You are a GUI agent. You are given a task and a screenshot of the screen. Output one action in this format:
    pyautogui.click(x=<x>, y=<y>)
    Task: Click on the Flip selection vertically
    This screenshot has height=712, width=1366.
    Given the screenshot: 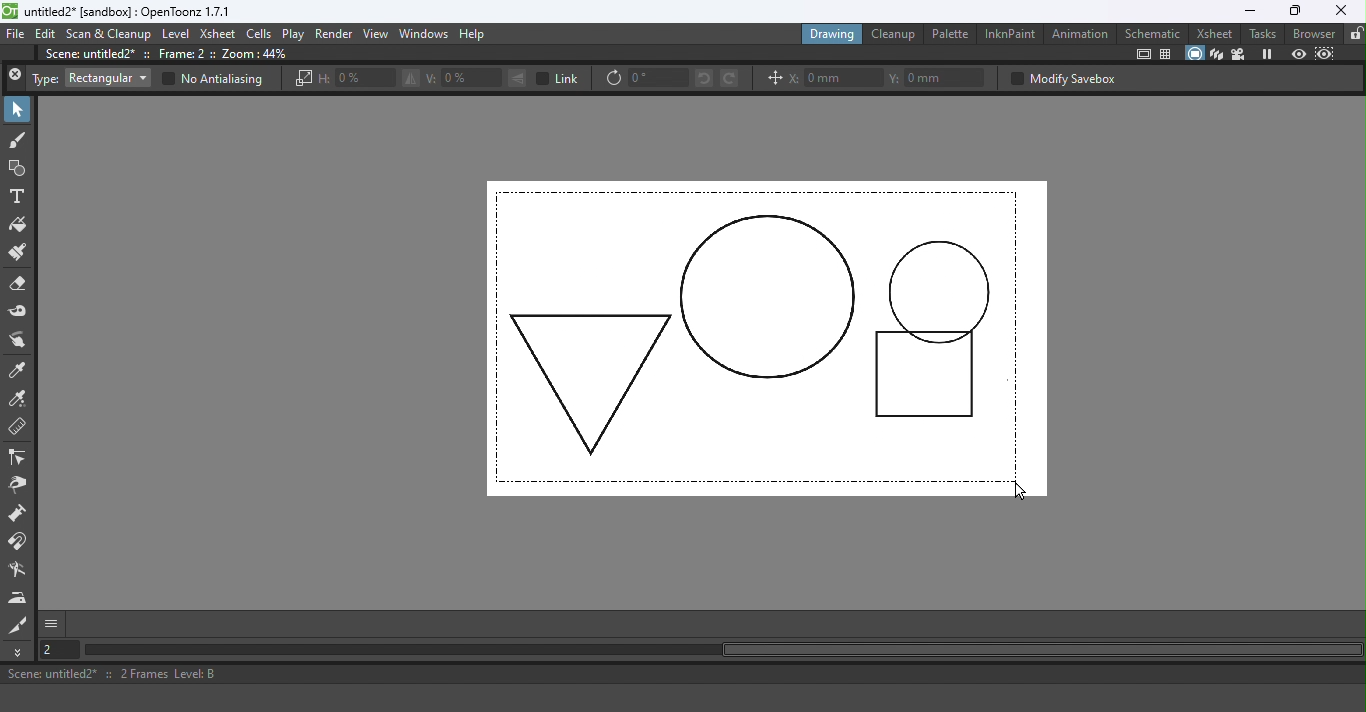 What is the action you would take?
    pyautogui.click(x=518, y=78)
    